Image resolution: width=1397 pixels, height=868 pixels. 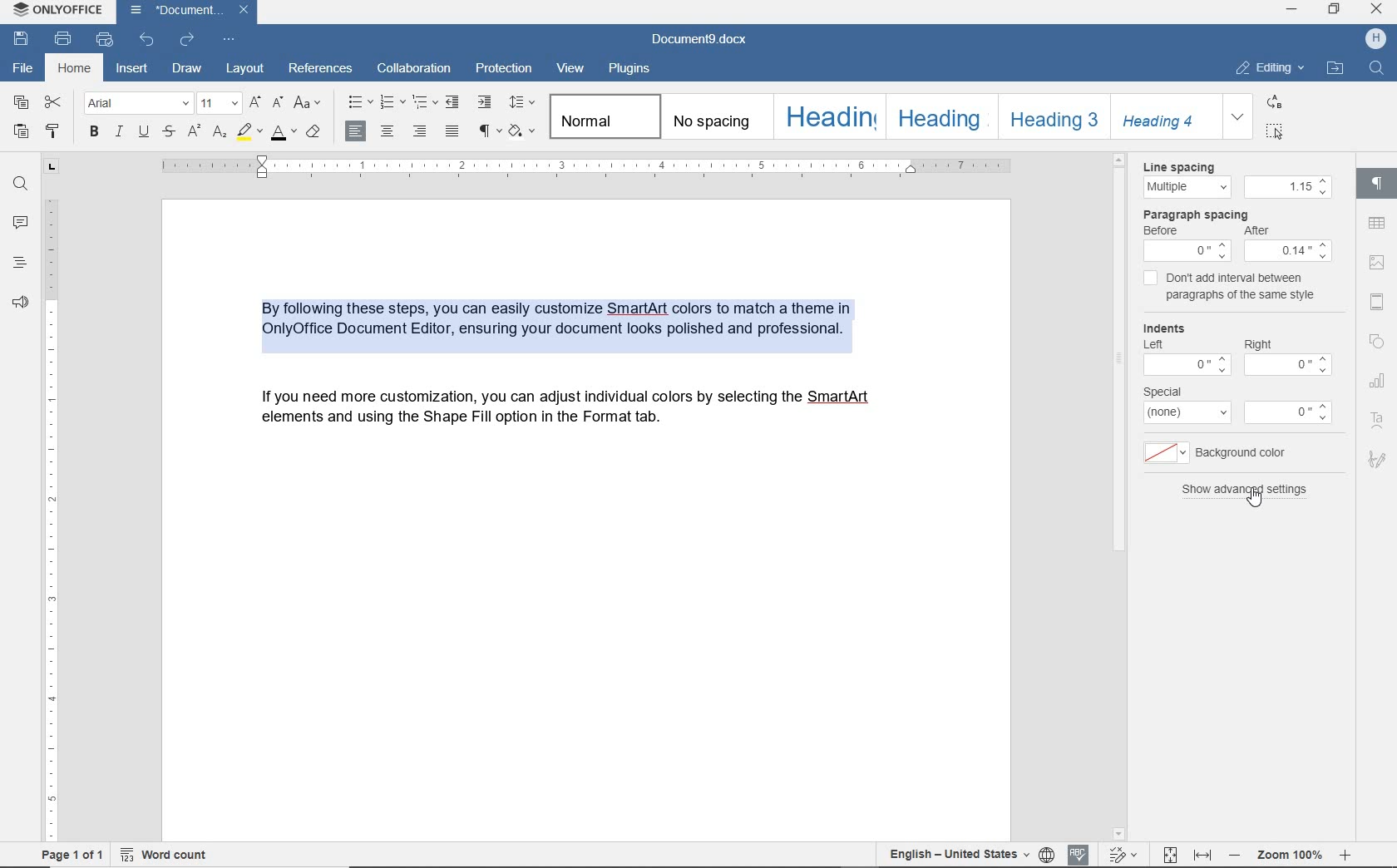 I want to click on right, so click(x=1258, y=343).